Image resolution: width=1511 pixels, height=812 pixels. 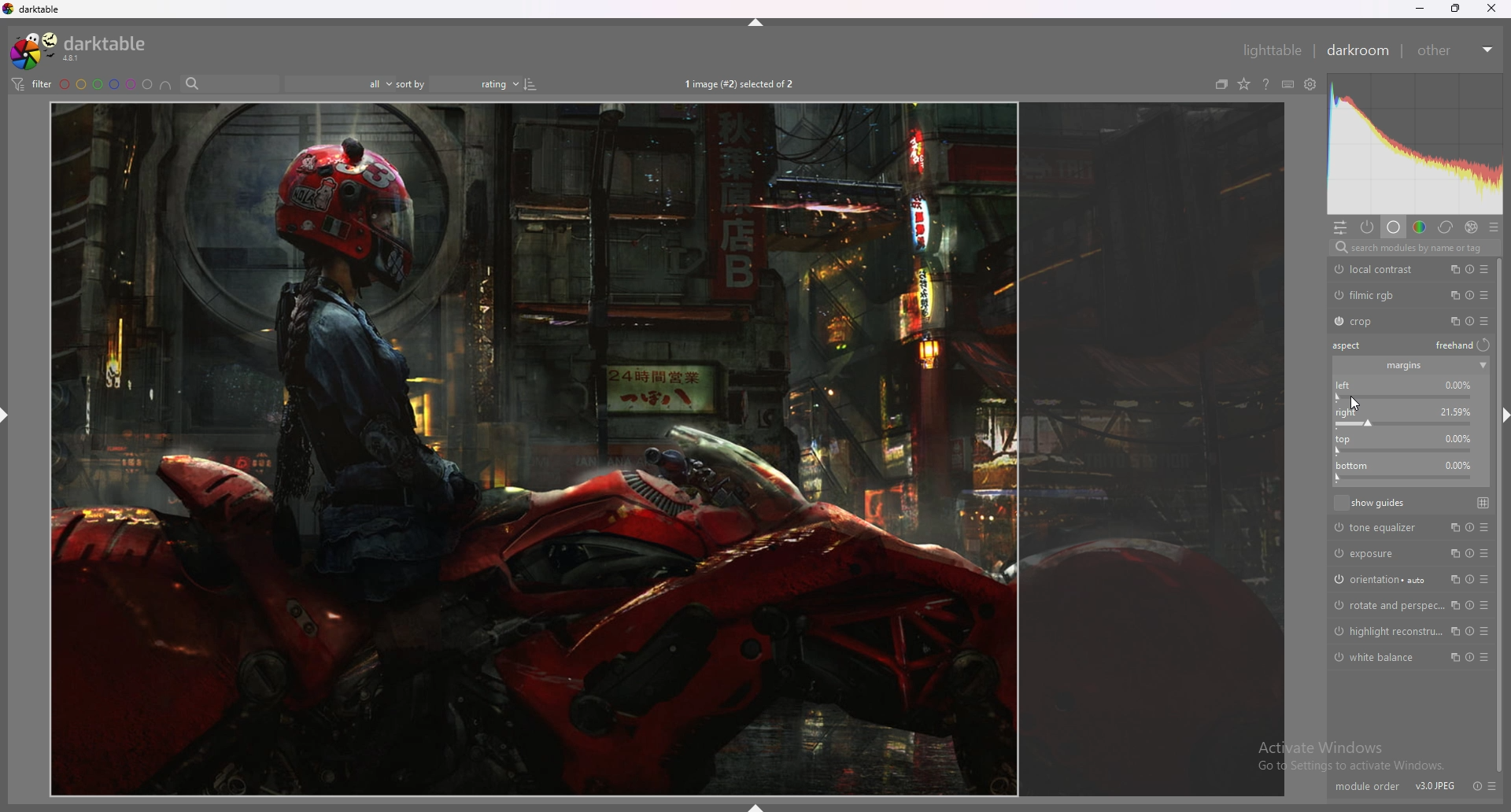 What do you see at coordinates (1340, 227) in the screenshot?
I see `quick access panel` at bounding box center [1340, 227].